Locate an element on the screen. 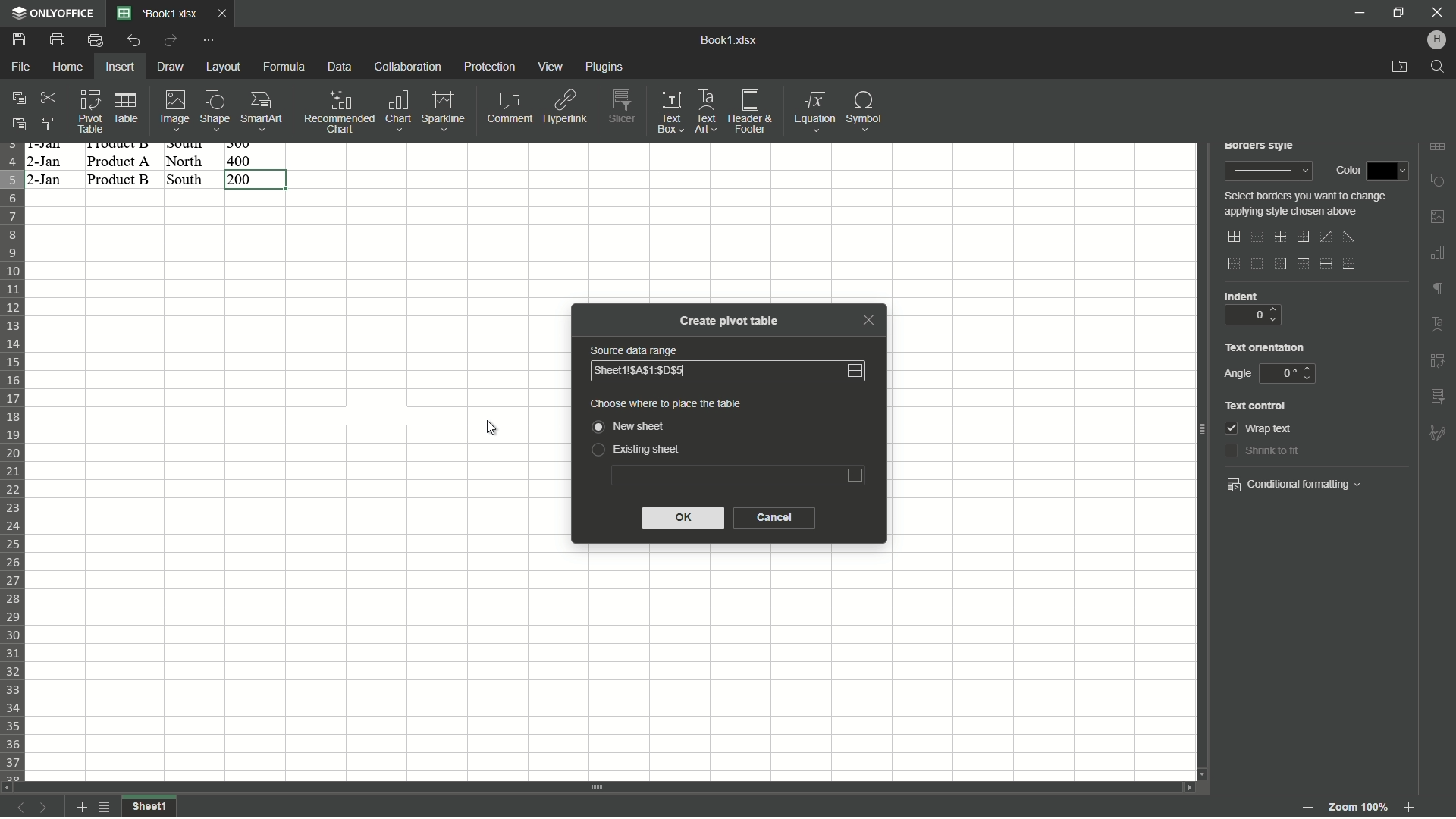  horizontal inner line is located at coordinates (1325, 265).